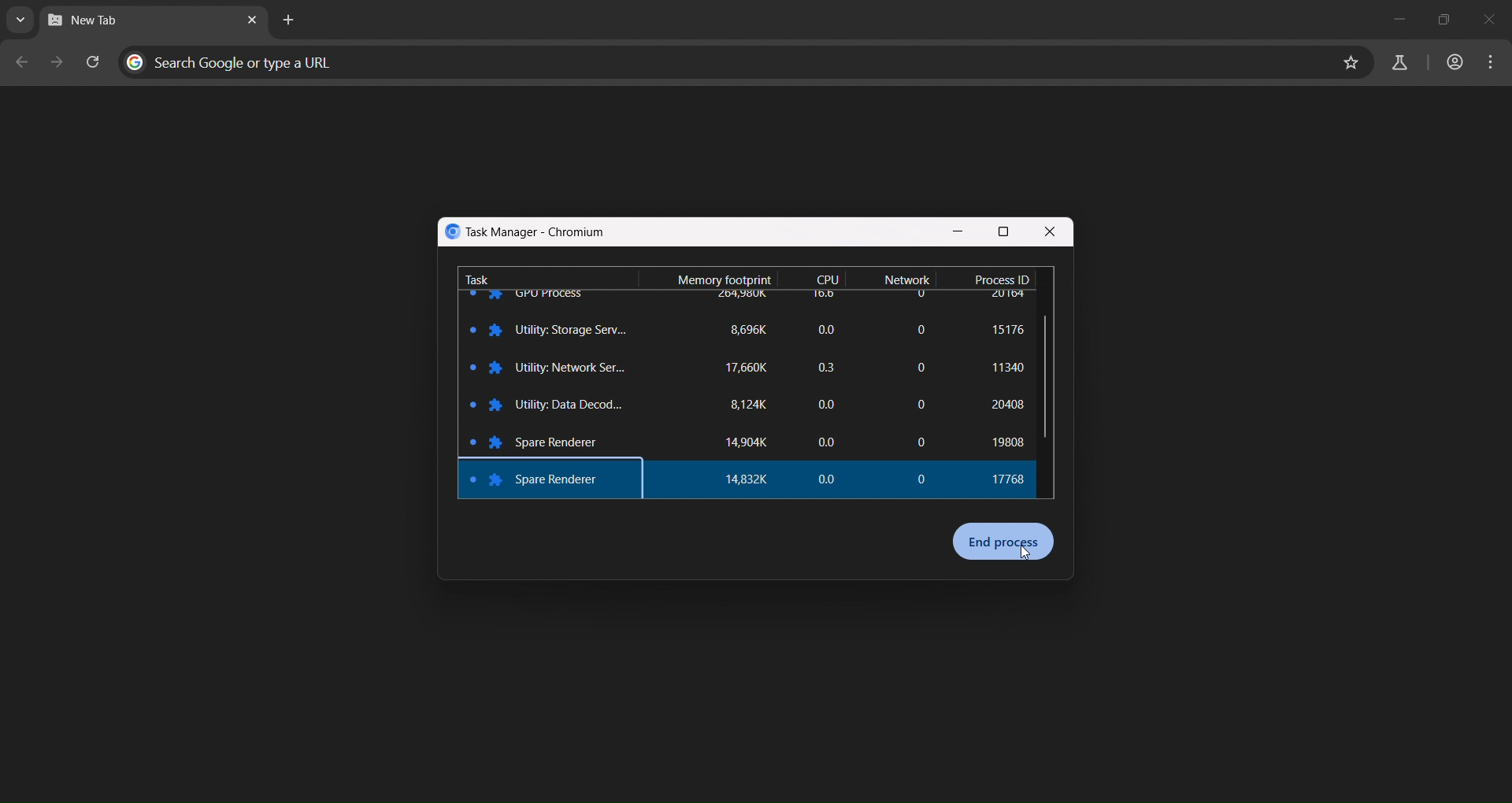 The image size is (1512, 803). What do you see at coordinates (22, 61) in the screenshot?
I see `go back one page` at bounding box center [22, 61].